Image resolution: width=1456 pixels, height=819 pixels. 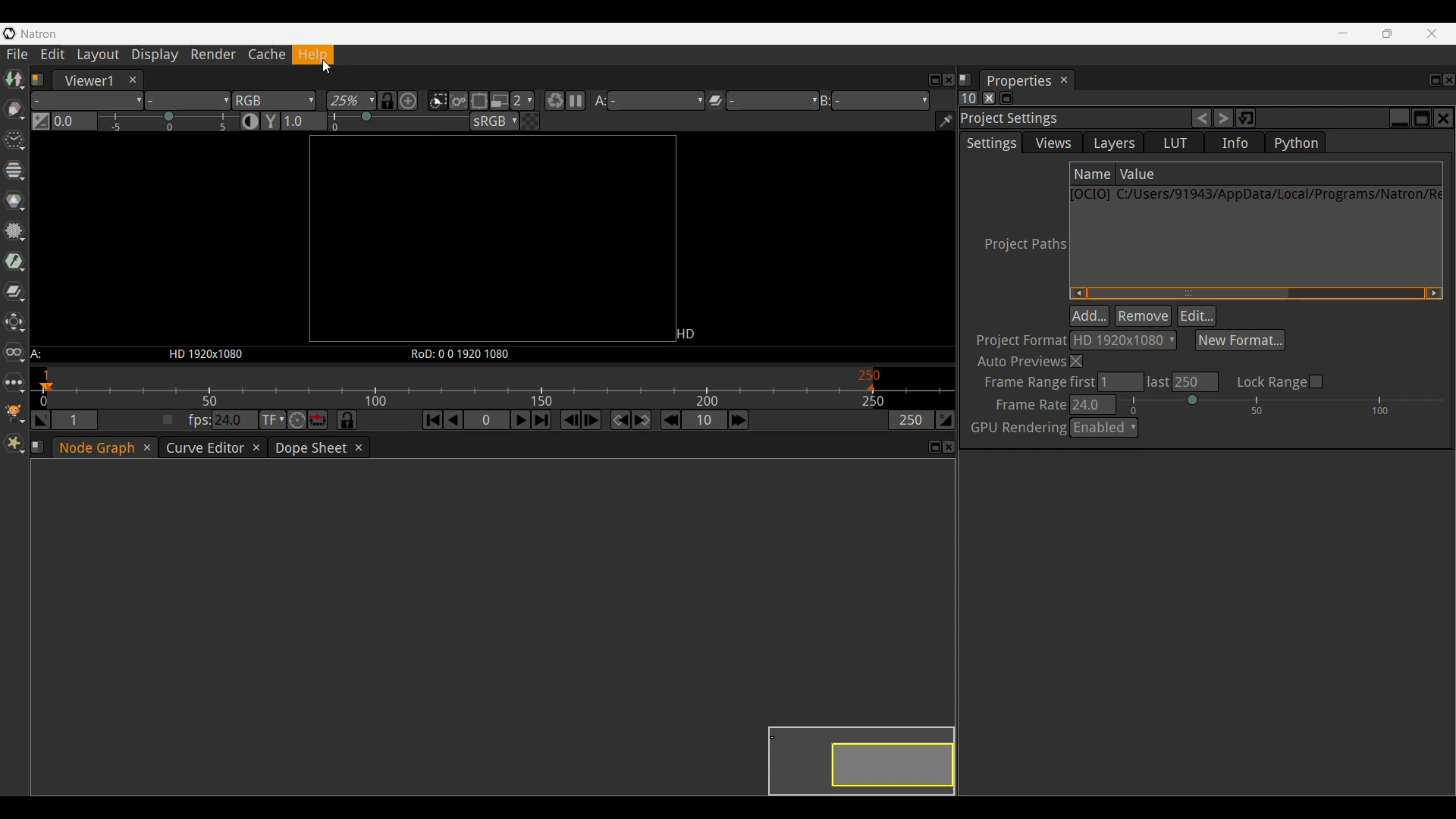 I want to click on 1, so click(x=74, y=419).